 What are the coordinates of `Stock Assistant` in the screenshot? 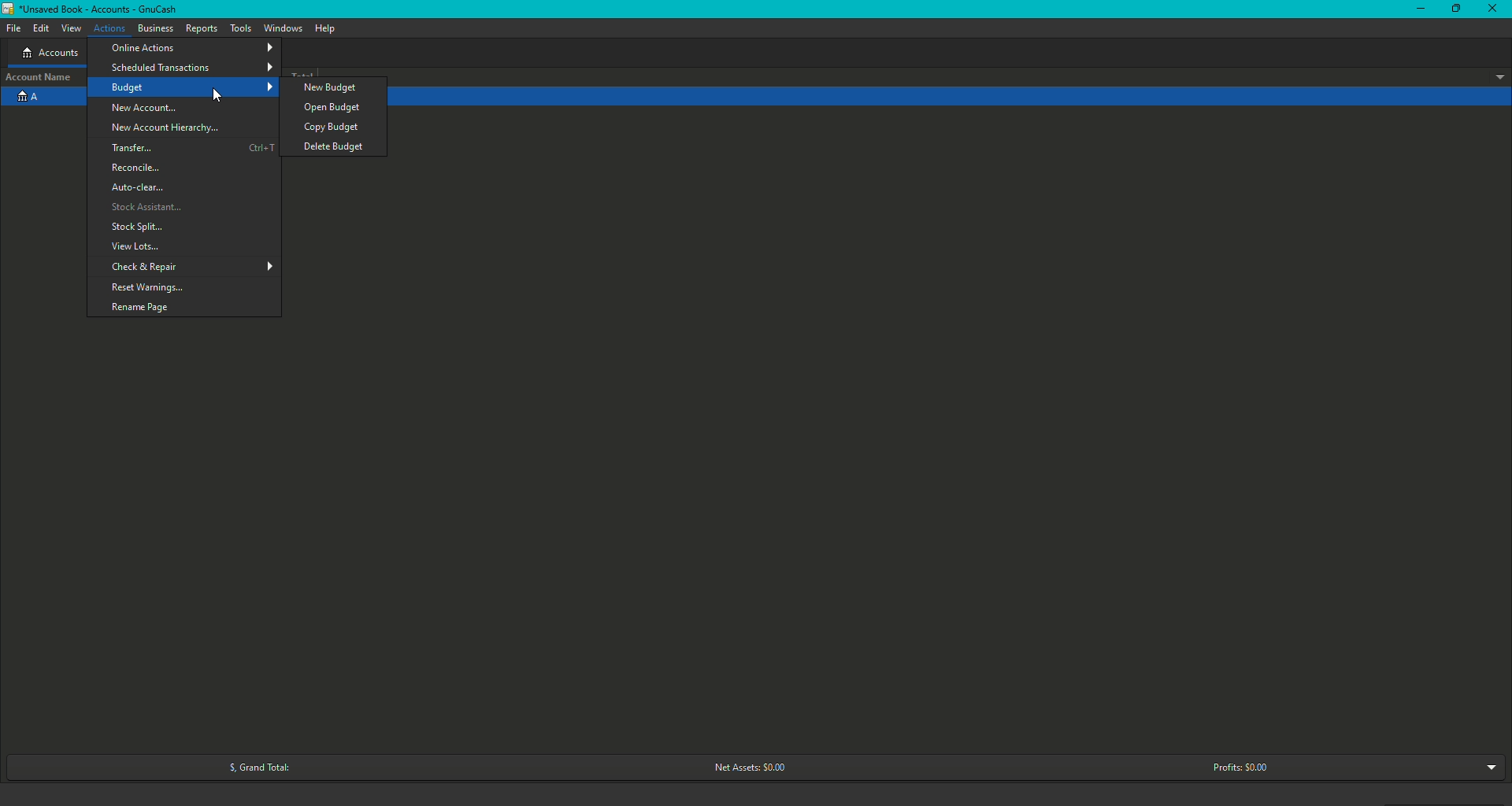 It's located at (151, 206).